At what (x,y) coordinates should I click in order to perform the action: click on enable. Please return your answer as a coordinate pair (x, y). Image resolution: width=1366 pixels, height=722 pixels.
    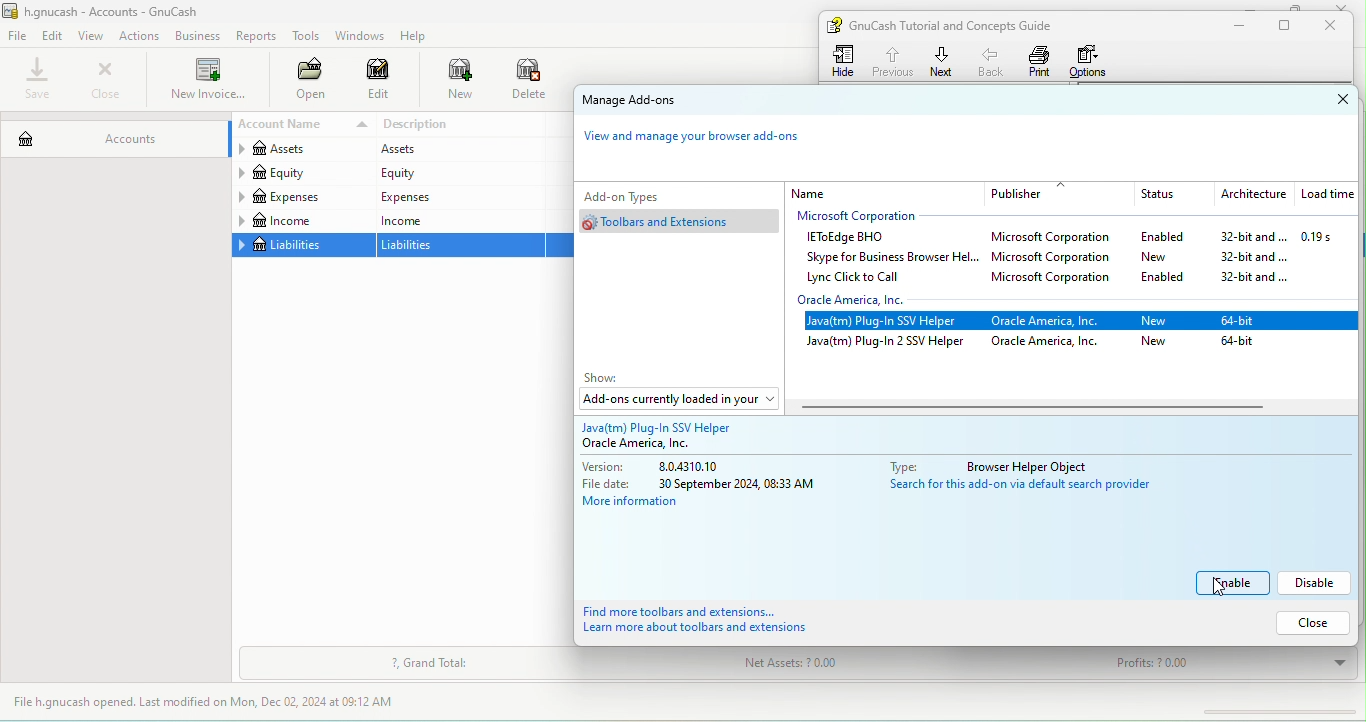
    Looking at the image, I should click on (1234, 583).